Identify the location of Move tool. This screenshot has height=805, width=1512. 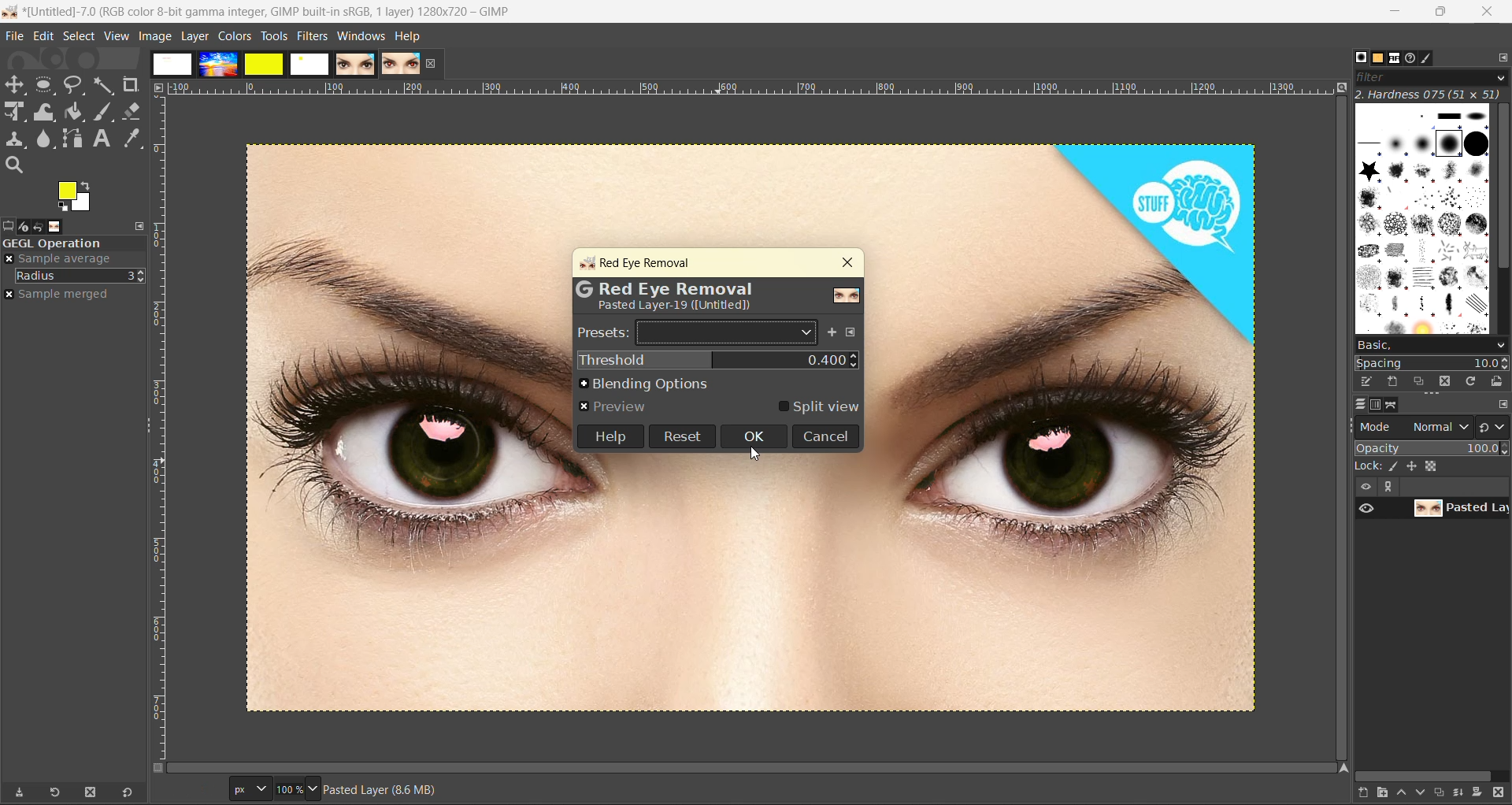
(17, 84).